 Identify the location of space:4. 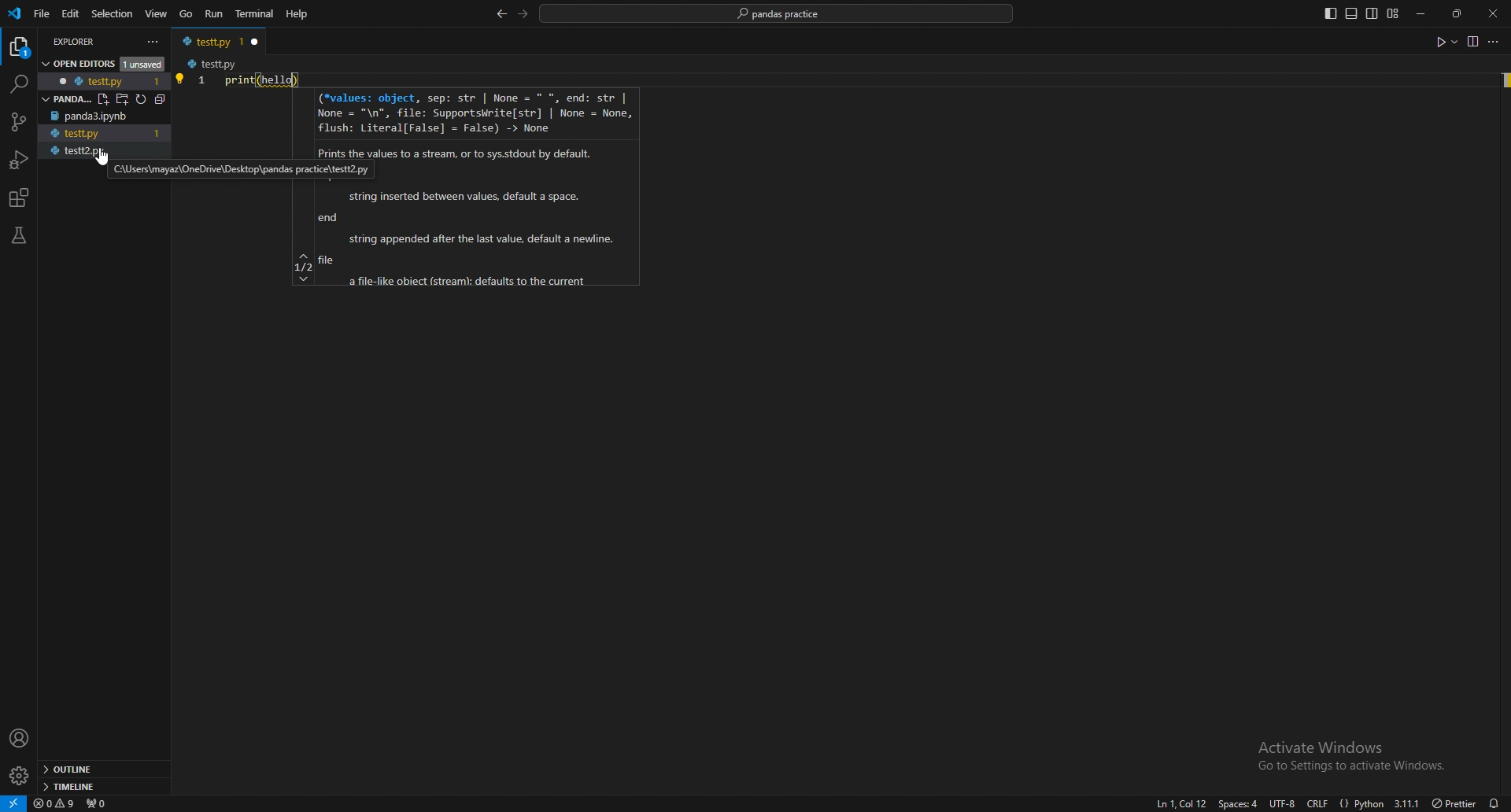
(1236, 803).